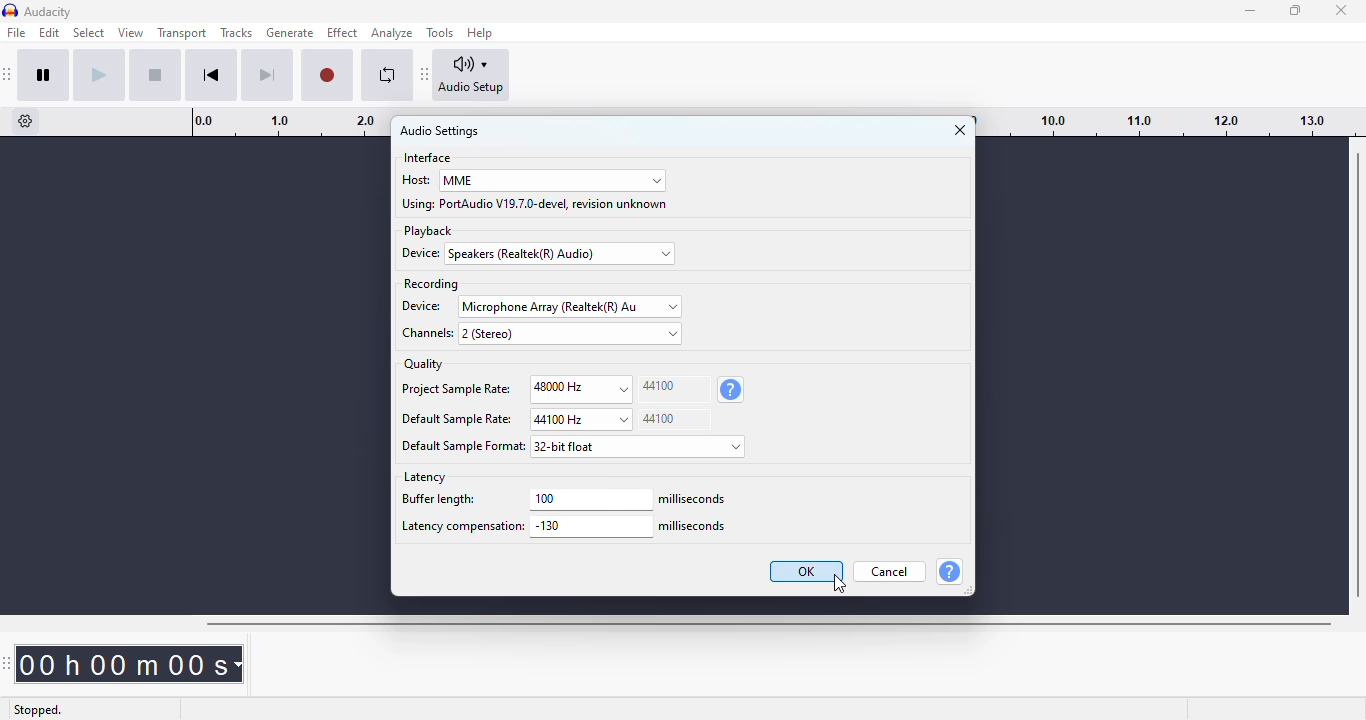 Image resolution: width=1366 pixels, height=720 pixels. What do you see at coordinates (392, 33) in the screenshot?
I see `analyze` at bounding box center [392, 33].